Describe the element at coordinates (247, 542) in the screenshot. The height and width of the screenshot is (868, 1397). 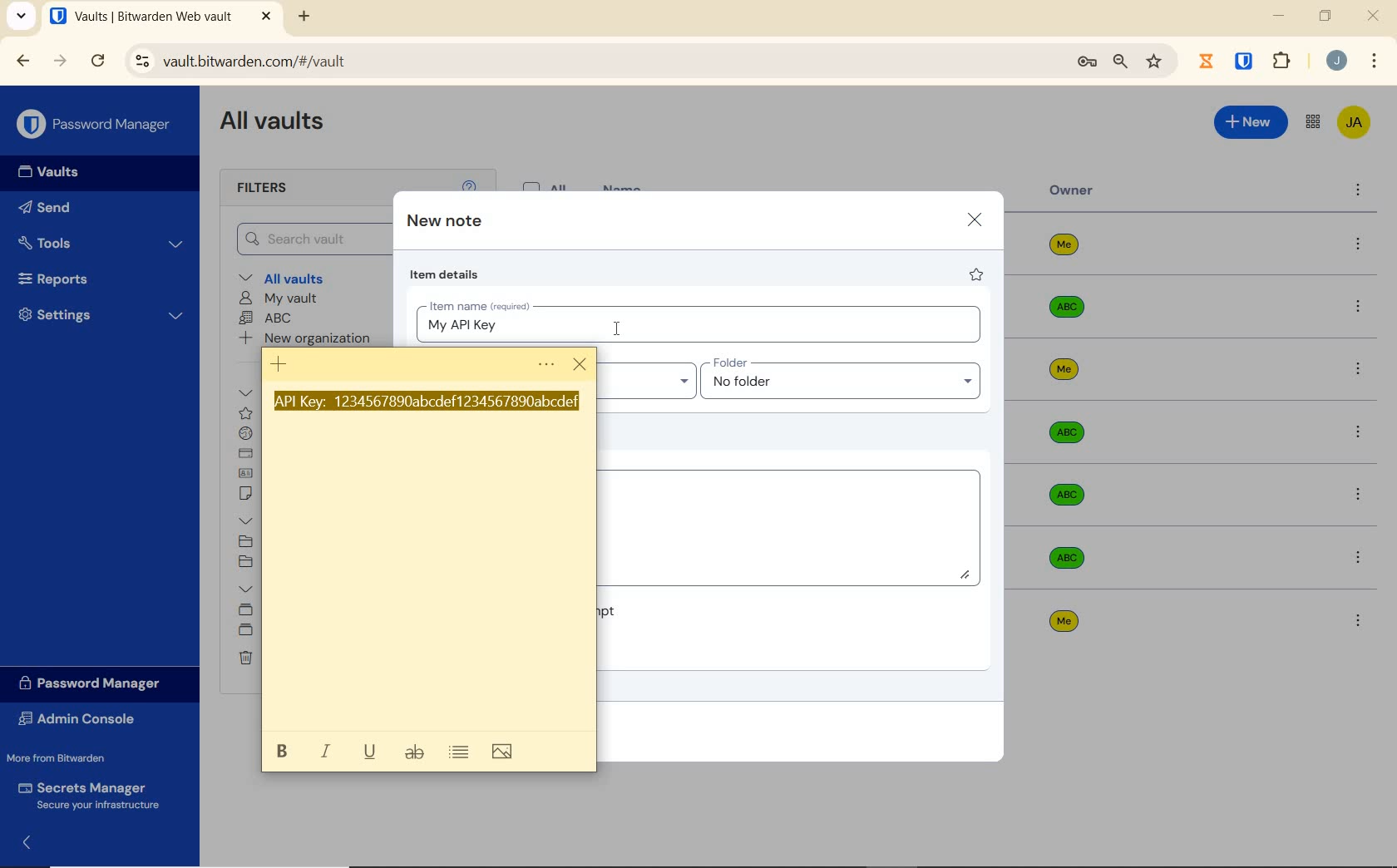
I see `SOCIAL MEDIA` at that location.